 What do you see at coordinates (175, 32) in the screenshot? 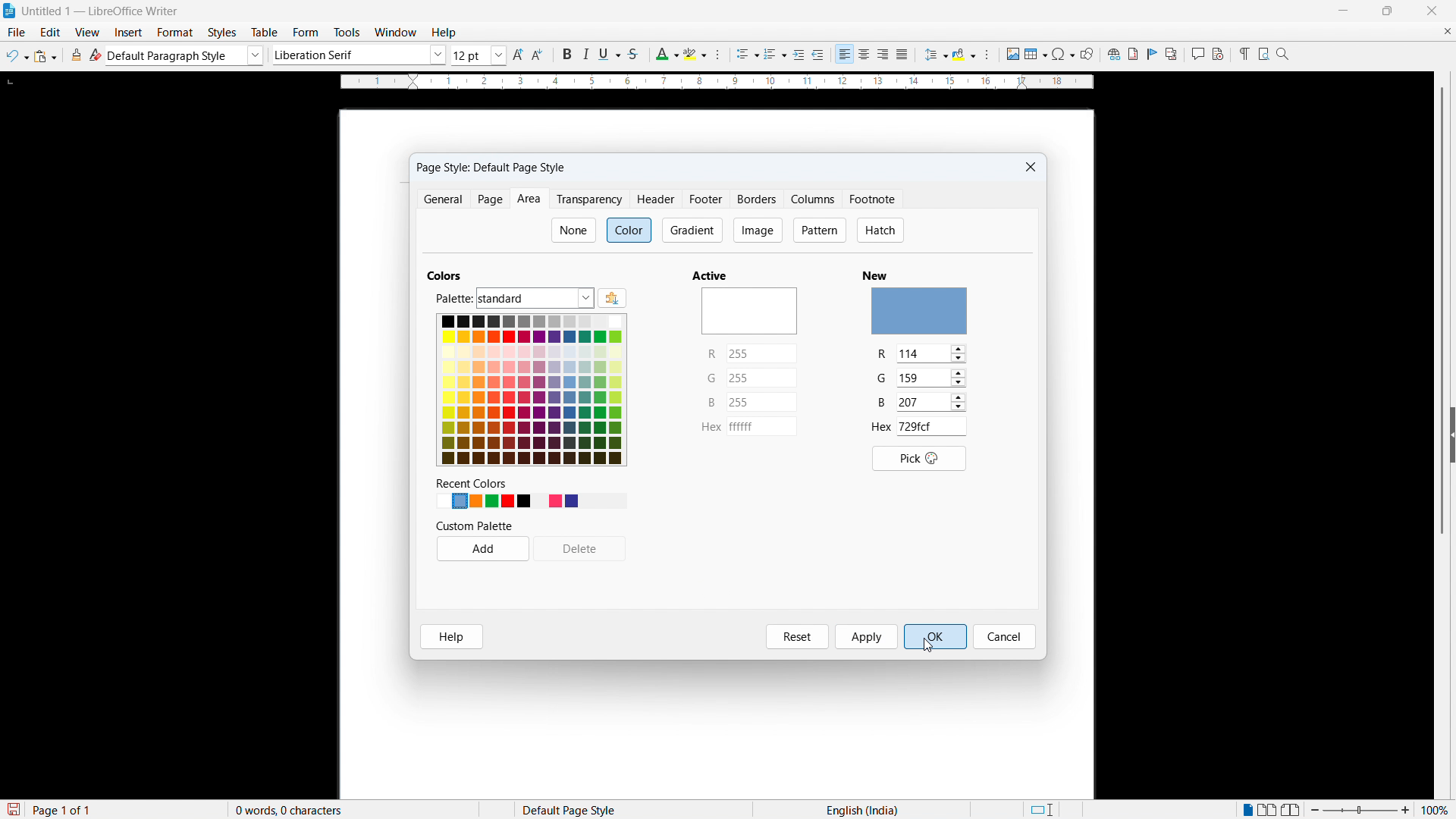
I see `Format ` at bounding box center [175, 32].